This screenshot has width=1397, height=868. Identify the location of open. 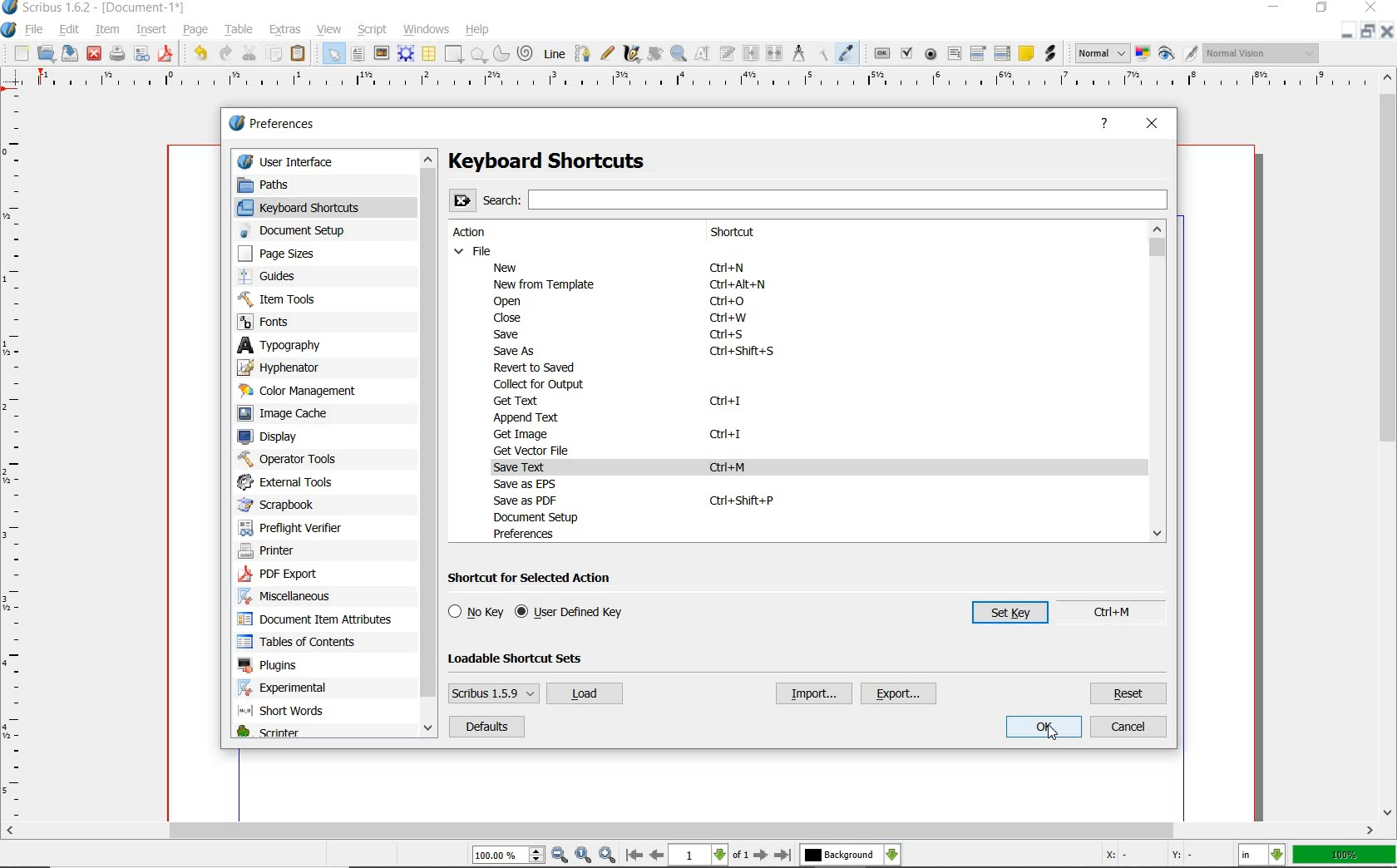
(46, 52).